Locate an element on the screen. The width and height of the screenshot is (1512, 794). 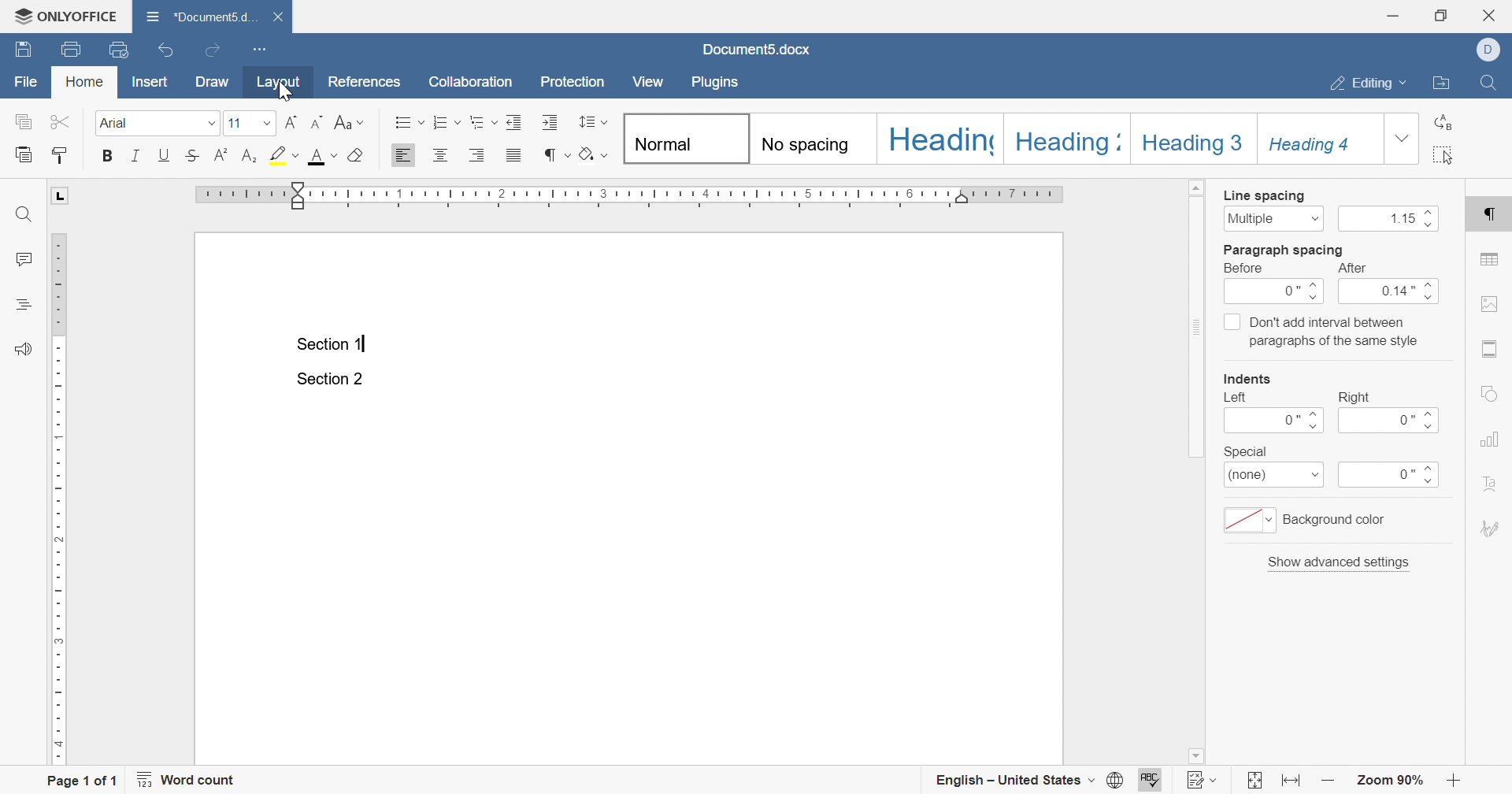
italic is located at coordinates (135, 154).